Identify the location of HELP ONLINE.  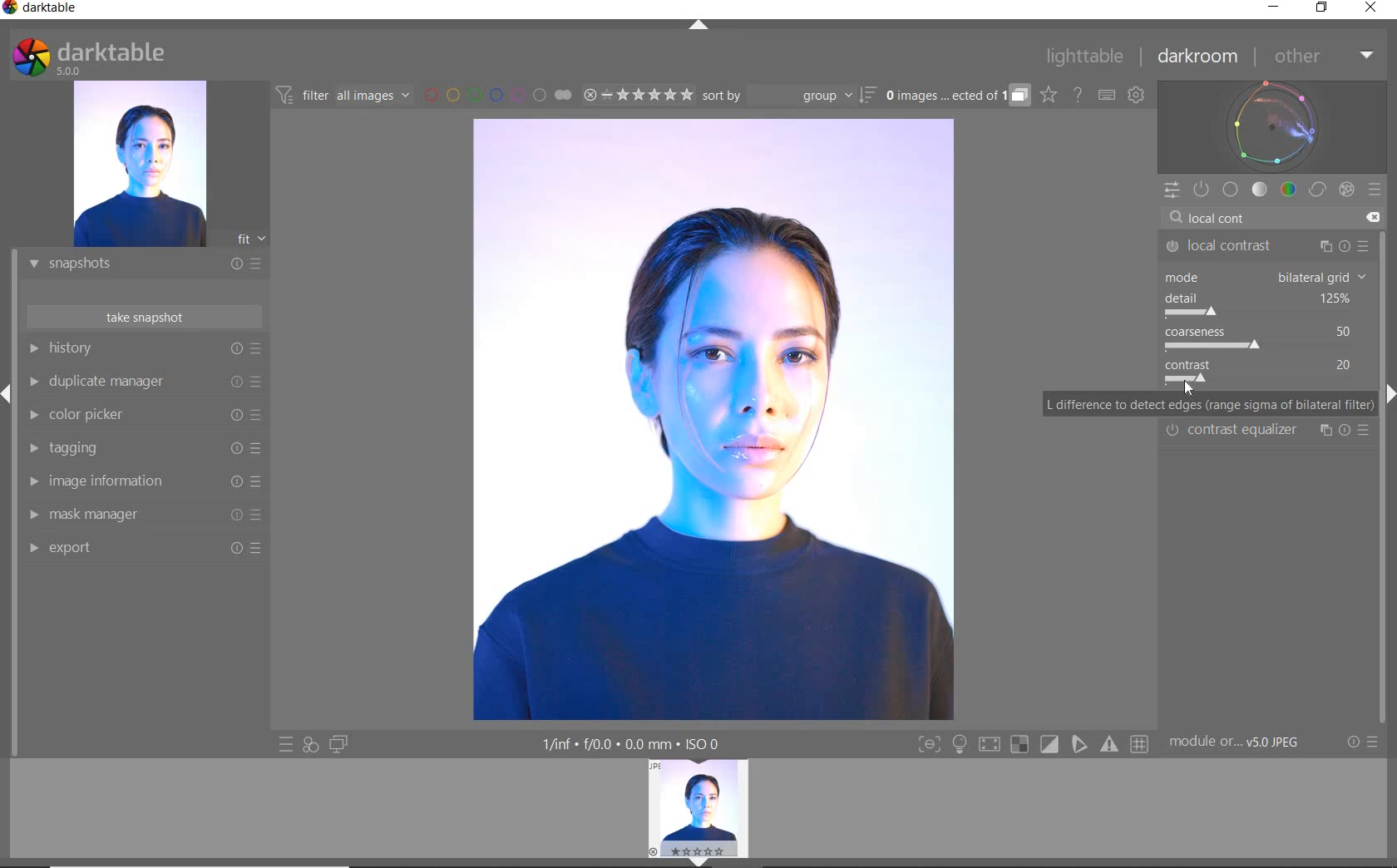
(1078, 94).